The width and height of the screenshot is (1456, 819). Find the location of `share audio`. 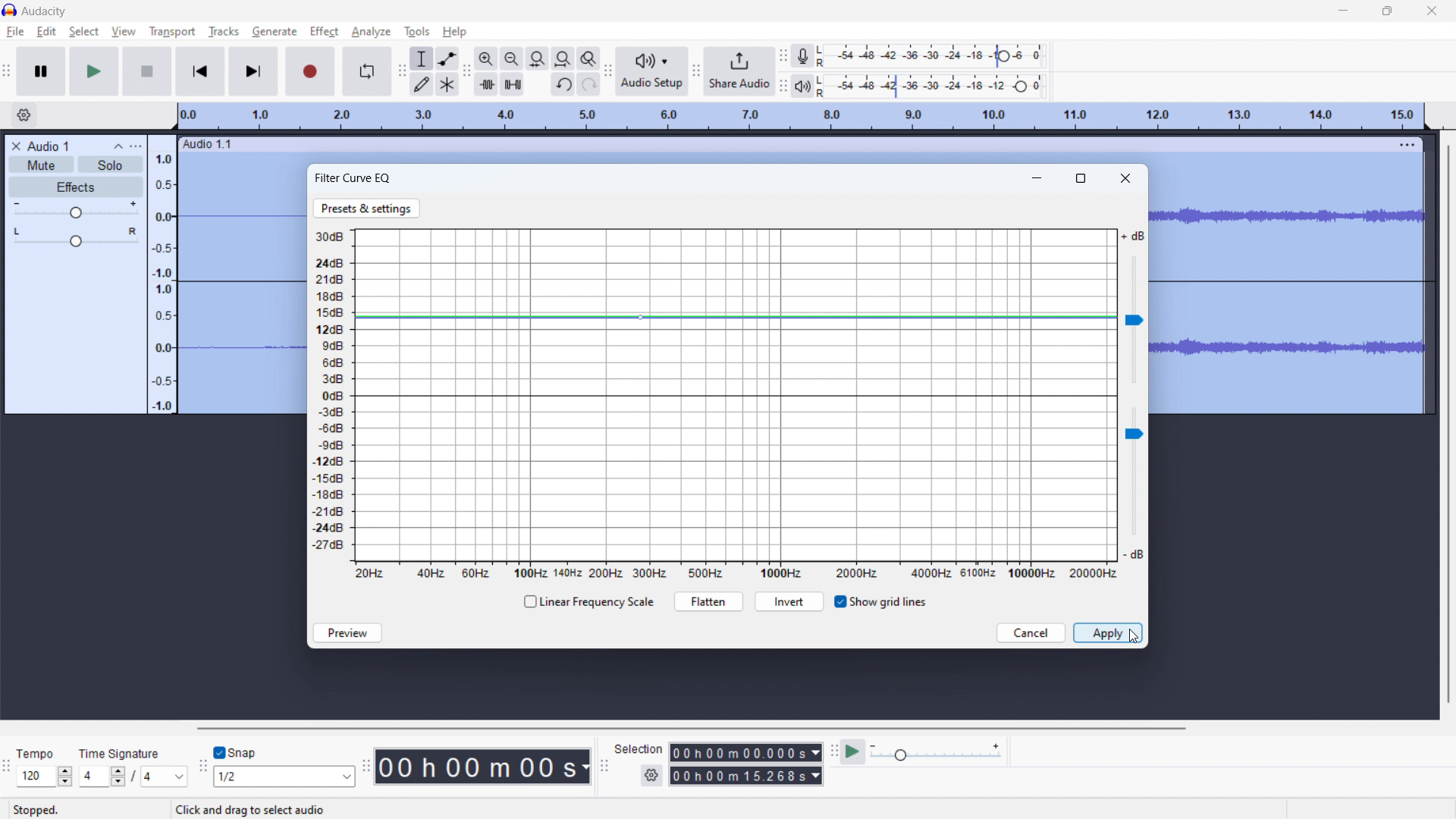

share audio is located at coordinates (740, 71).